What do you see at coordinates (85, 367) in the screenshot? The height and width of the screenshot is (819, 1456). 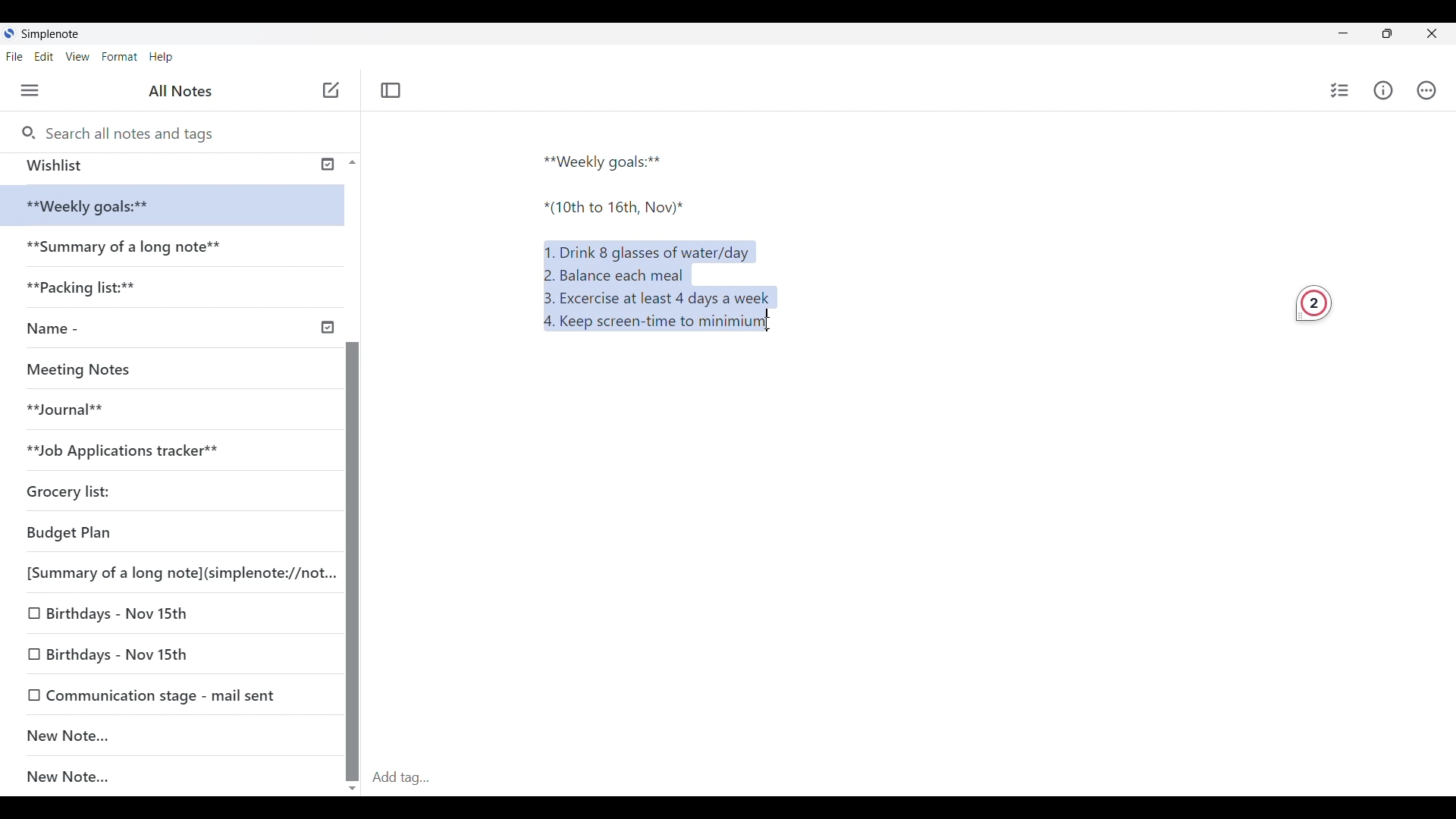 I see `Meeting Notes` at bounding box center [85, 367].